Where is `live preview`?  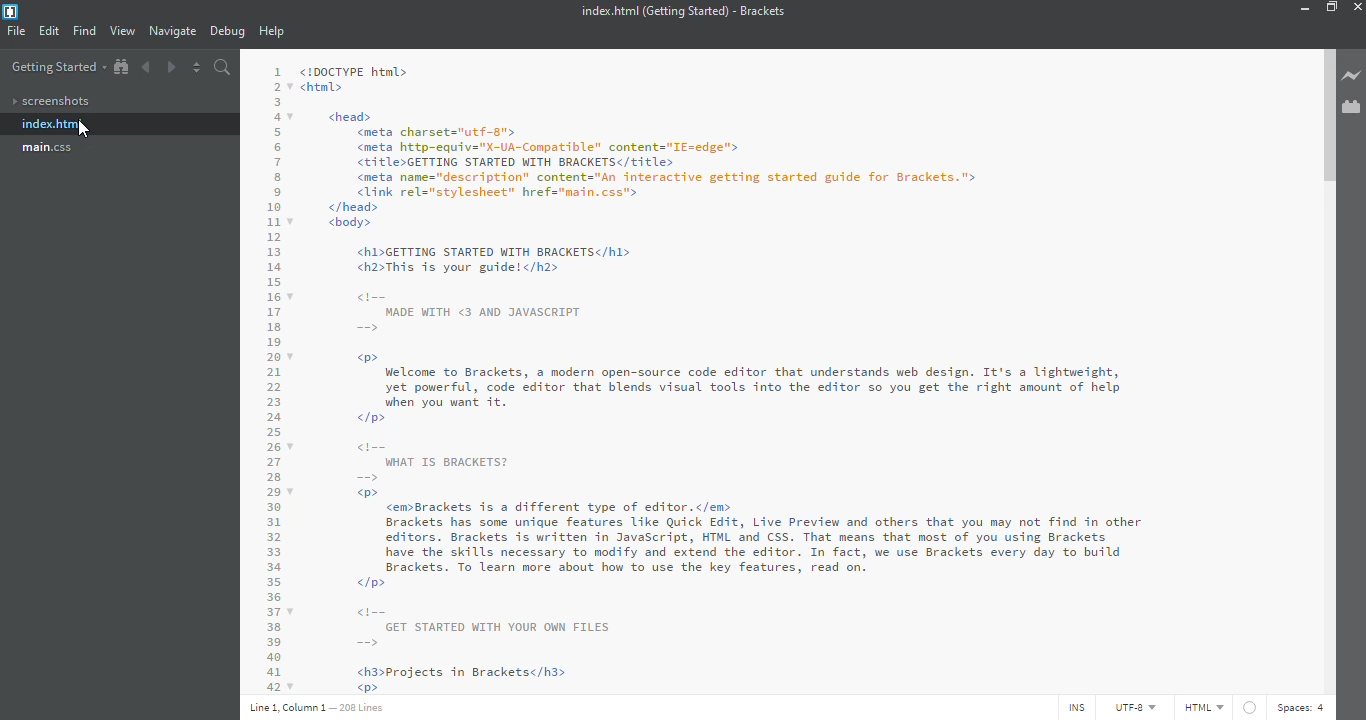
live preview is located at coordinates (1352, 77).